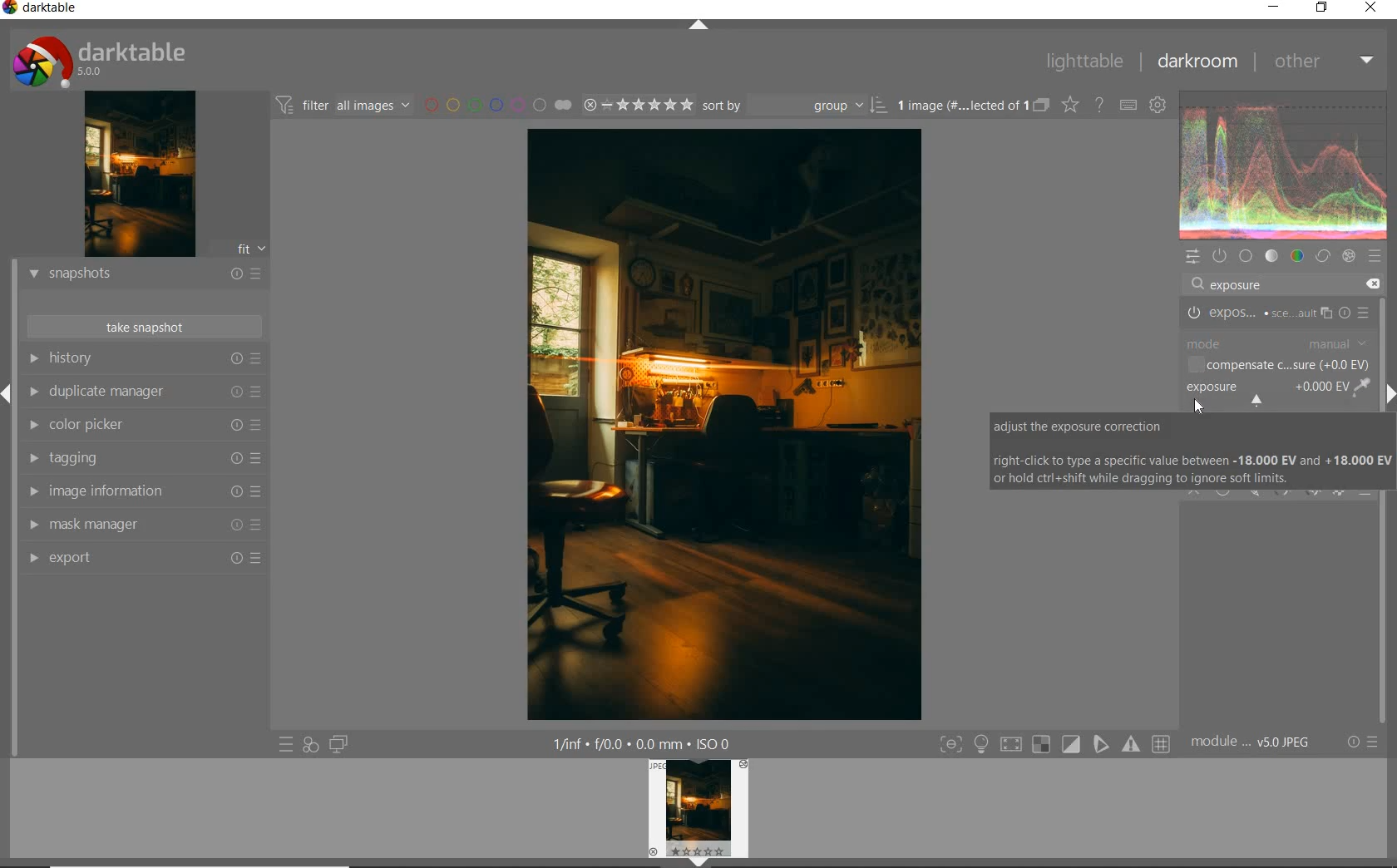 This screenshot has height=868, width=1397. Describe the element at coordinates (309, 744) in the screenshot. I see `quick access for applying any of your styles` at that location.